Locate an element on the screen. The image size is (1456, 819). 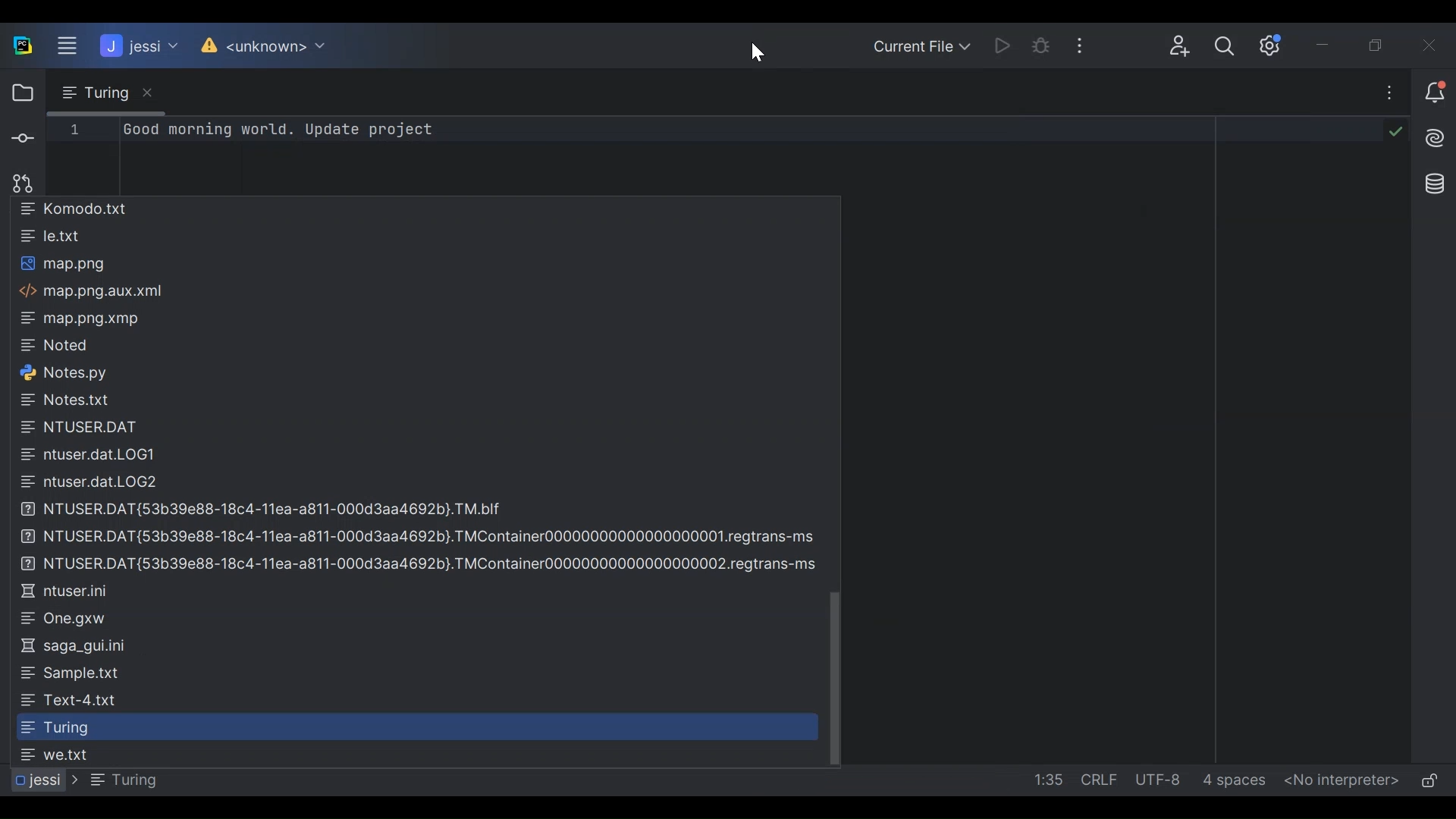
AI Assistant is located at coordinates (1431, 137).